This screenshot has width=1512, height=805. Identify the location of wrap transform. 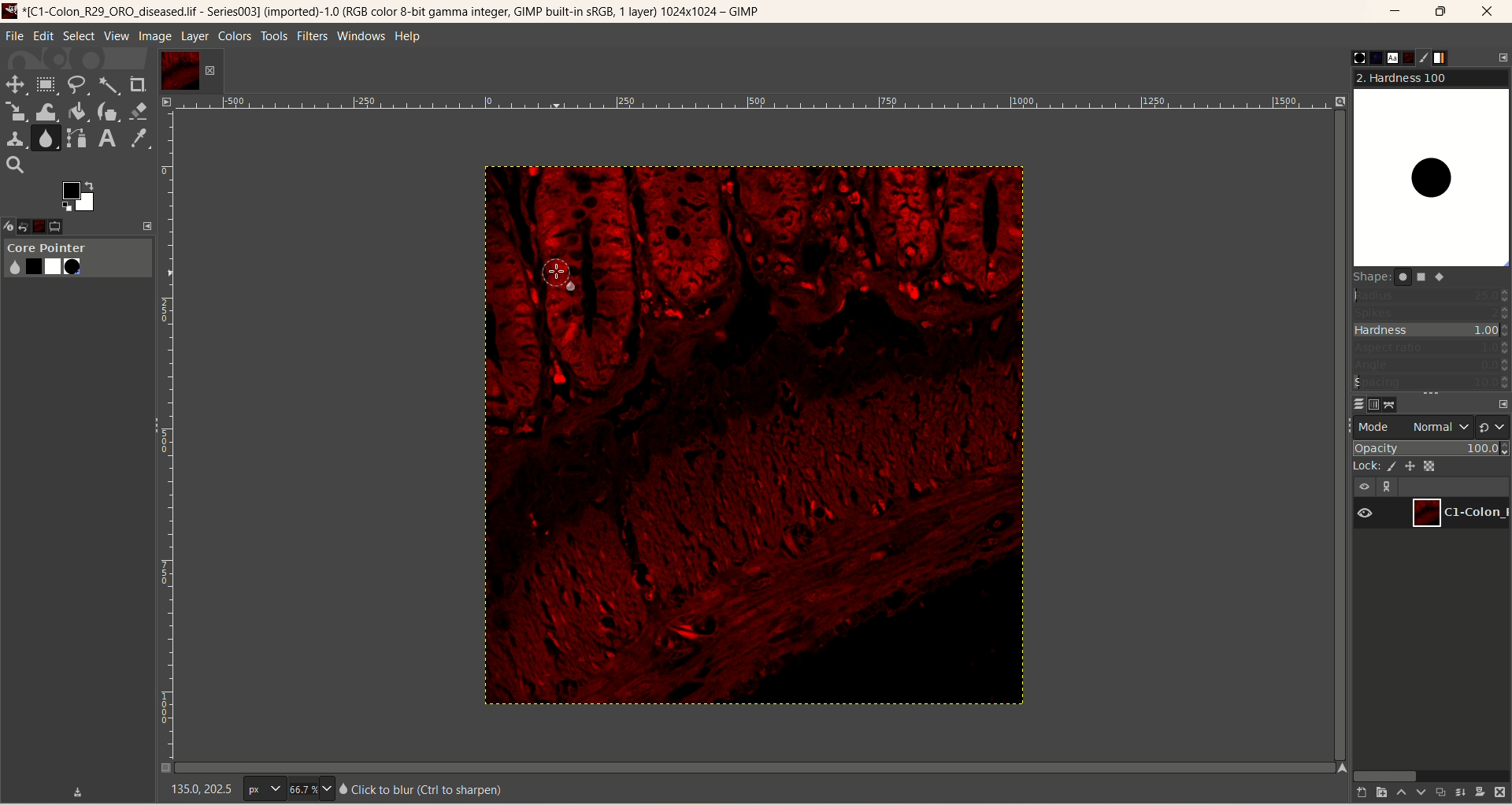
(45, 113).